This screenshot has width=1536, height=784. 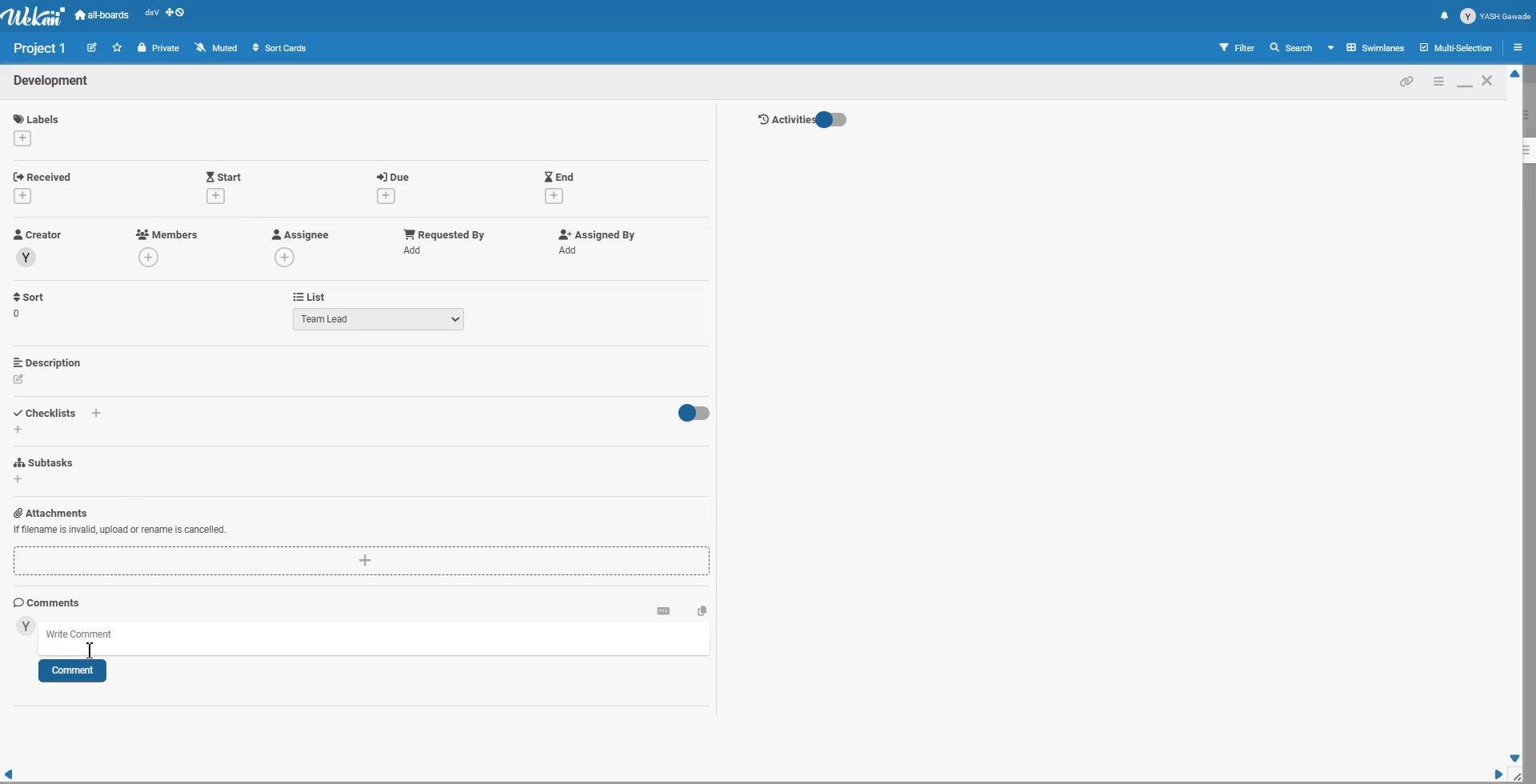 I want to click on Horizontal Scroll bar, so click(x=752, y=775).